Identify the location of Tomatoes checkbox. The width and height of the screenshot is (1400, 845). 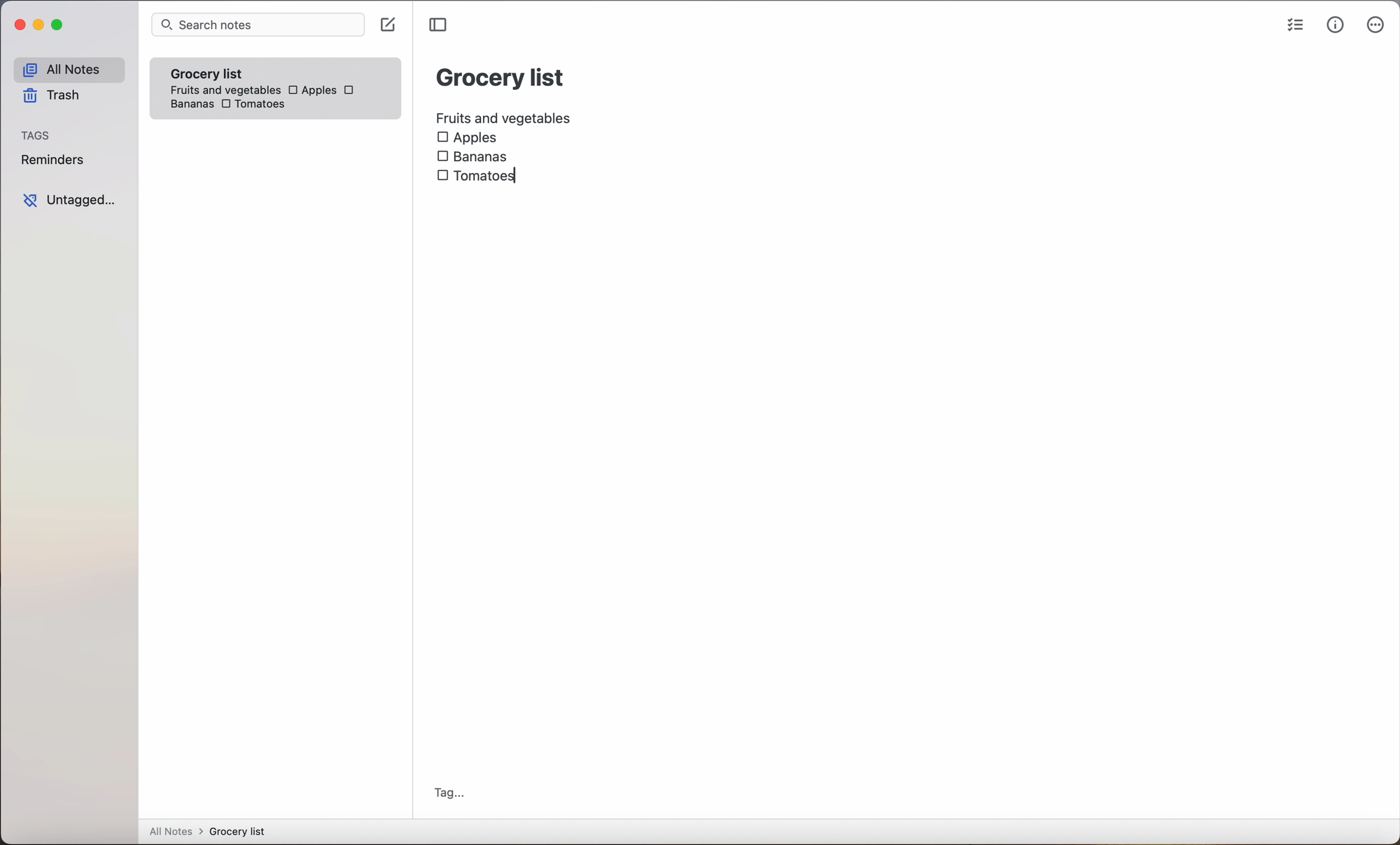
(251, 105).